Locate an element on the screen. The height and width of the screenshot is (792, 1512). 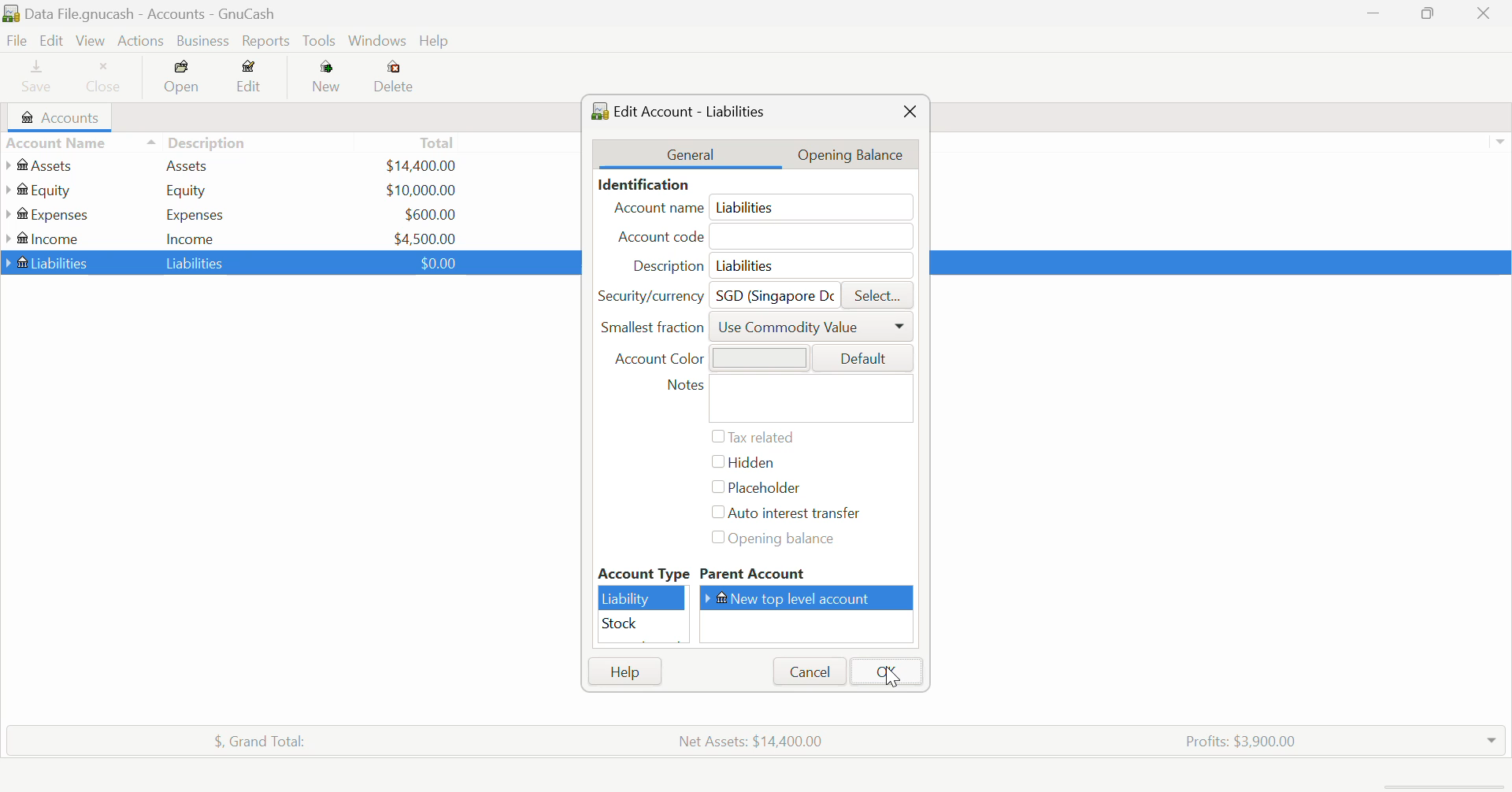
OK is located at coordinates (884, 672).